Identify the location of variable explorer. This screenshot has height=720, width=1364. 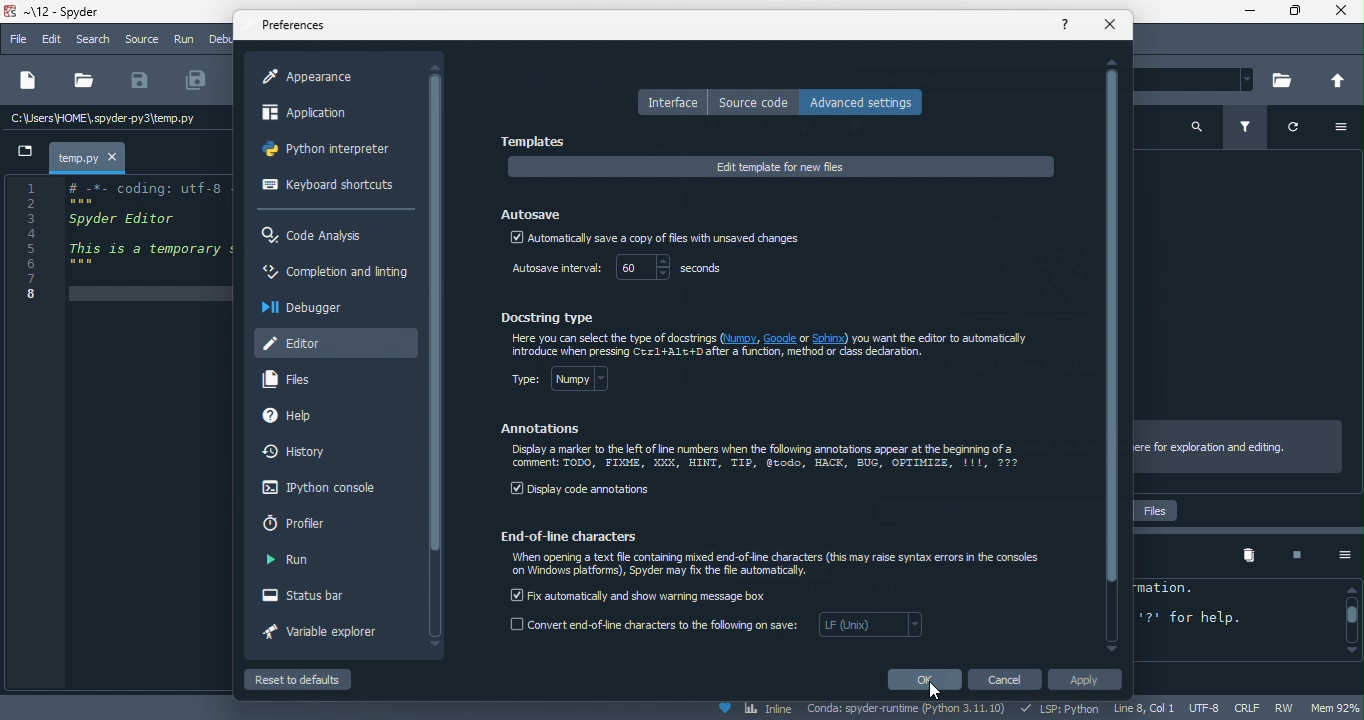
(331, 635).